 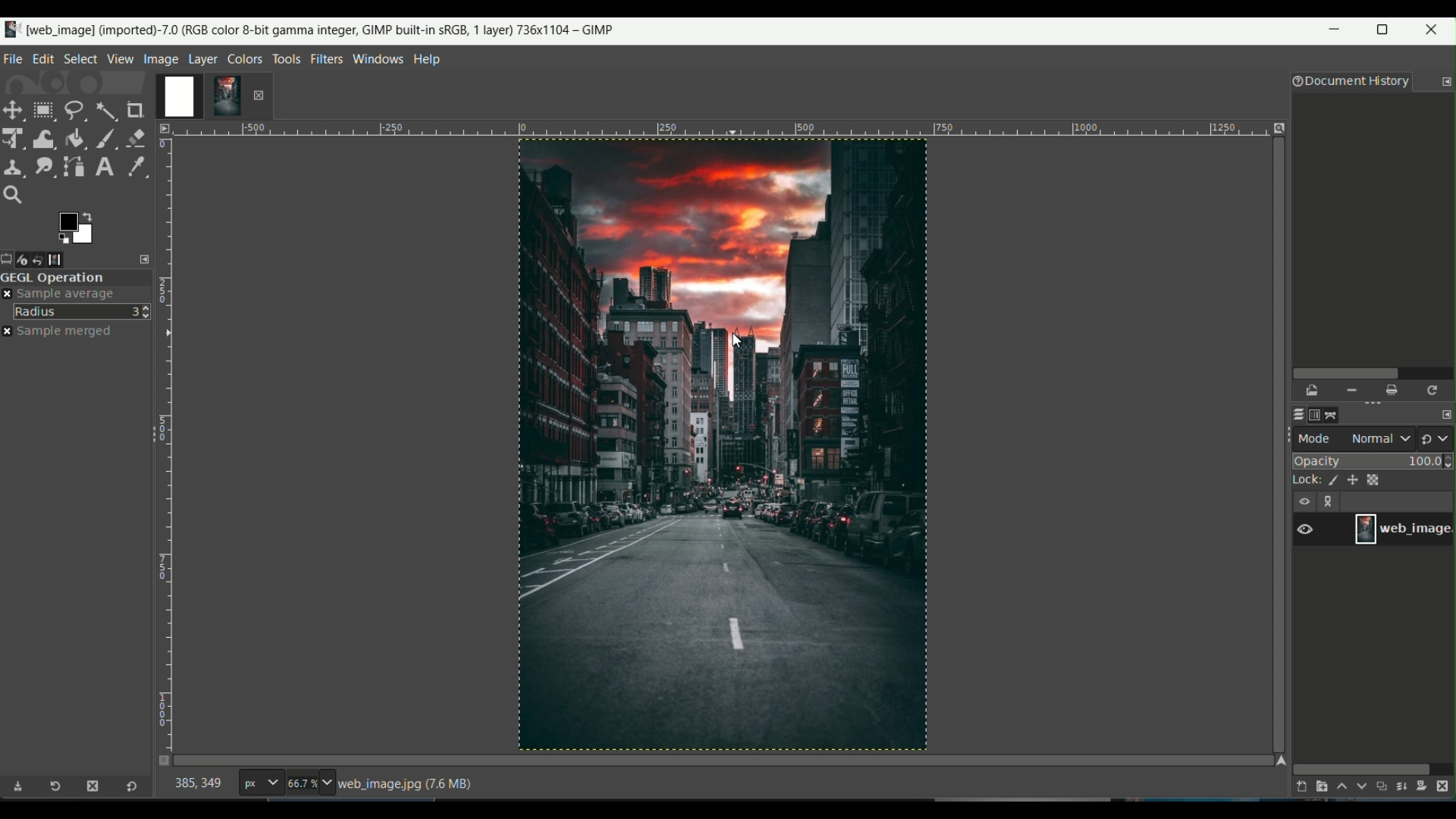 What do you see at coordinates (1435, 32) in the screenshot?
I see `close window` at bounding box center [1435, 32].